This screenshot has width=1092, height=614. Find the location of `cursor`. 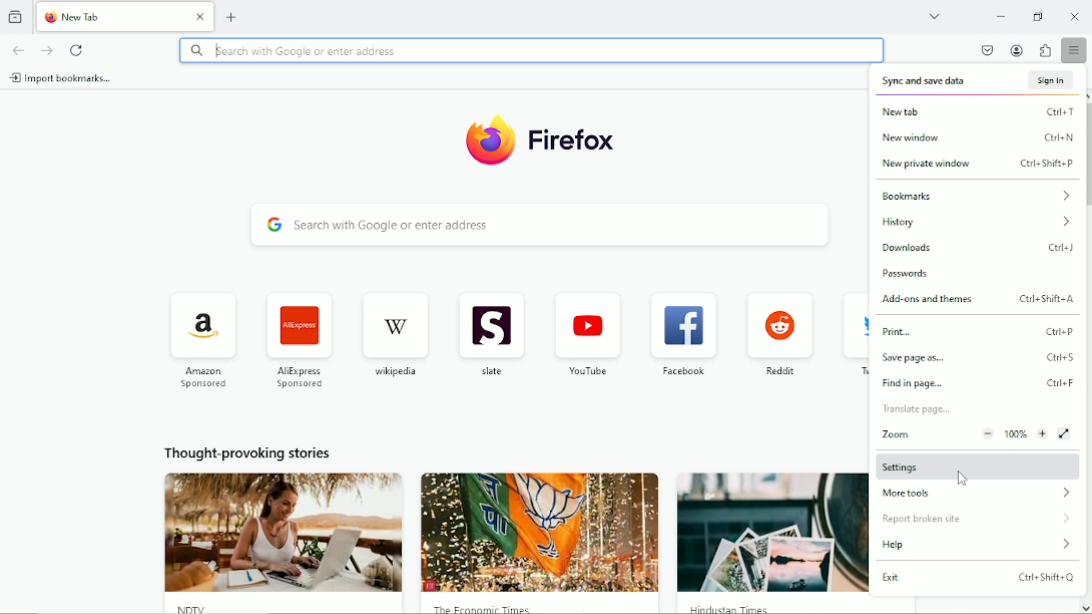

cursor is located at coordinates (962, 479).